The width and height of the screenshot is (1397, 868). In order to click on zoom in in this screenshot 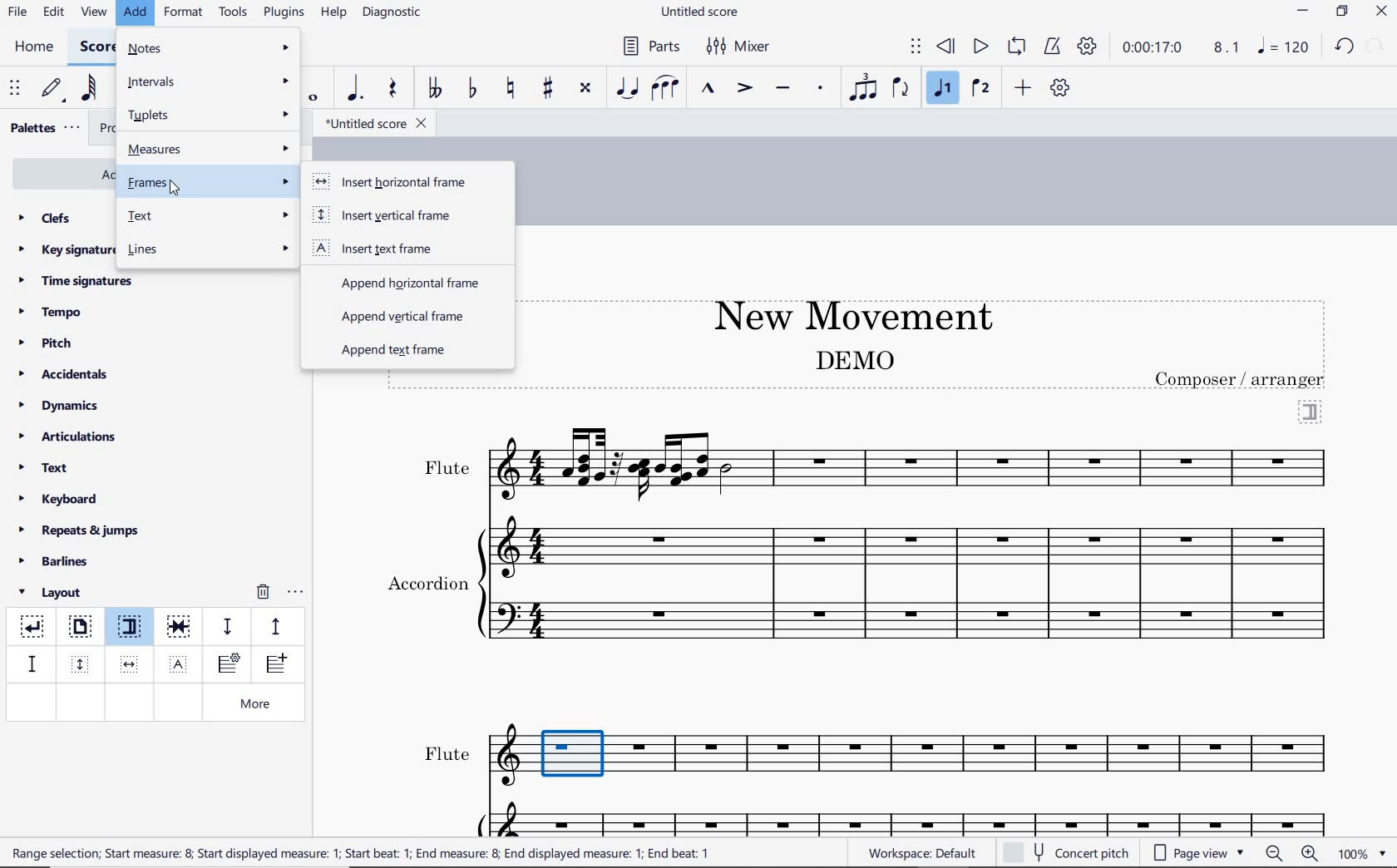, I will do `click(1313, 855)`.